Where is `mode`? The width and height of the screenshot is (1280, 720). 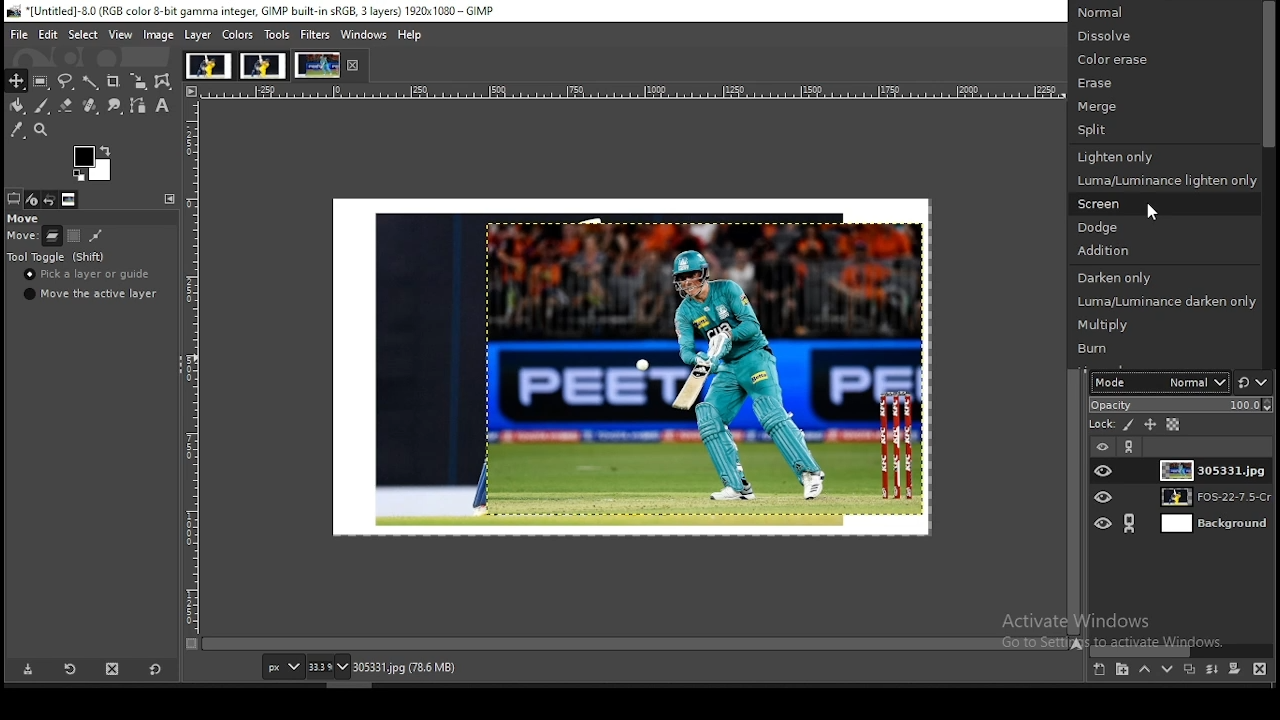 mode is located at coordinates (1156, 382).